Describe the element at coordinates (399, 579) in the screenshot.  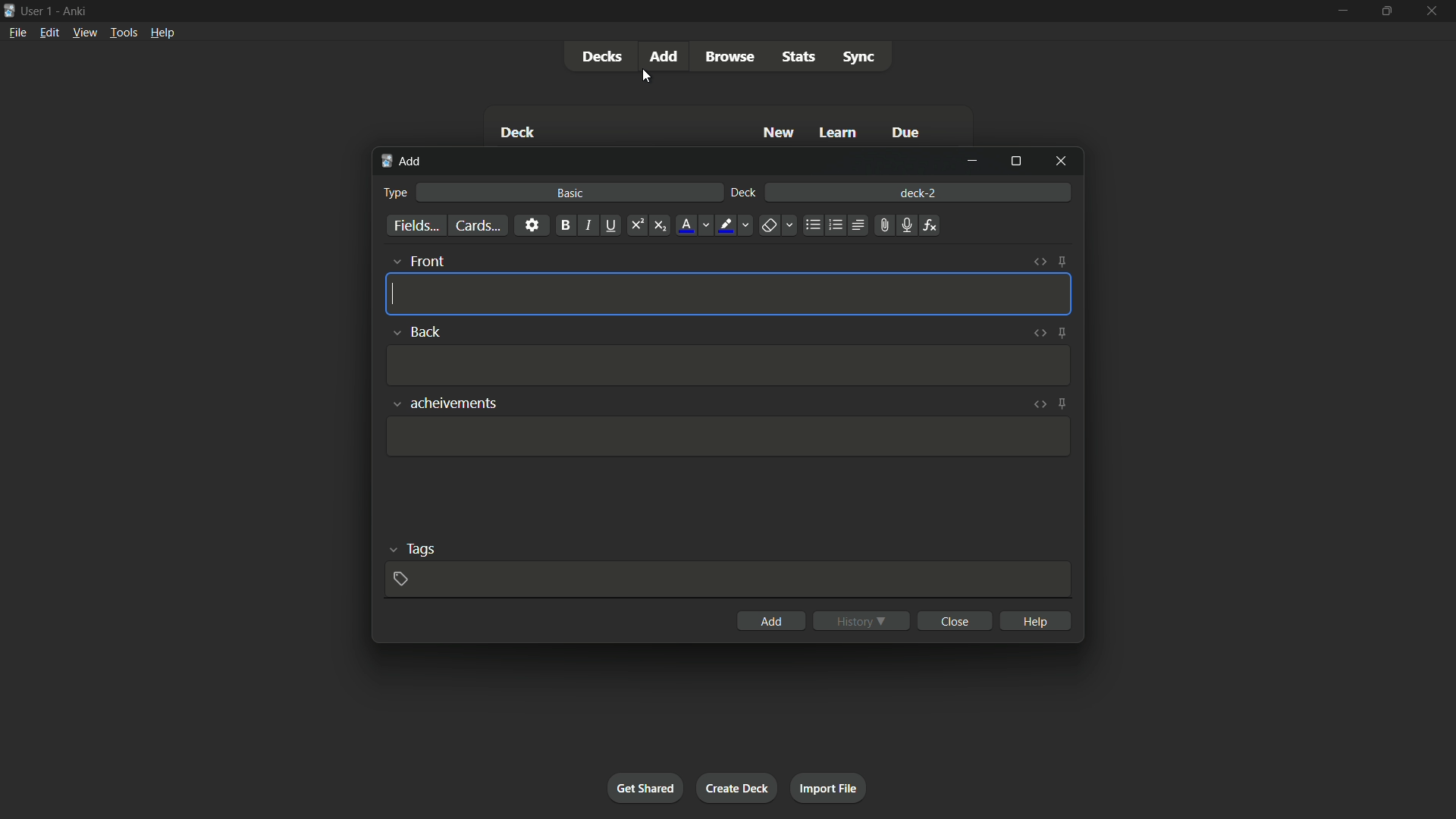
I see `add tag` at that location.